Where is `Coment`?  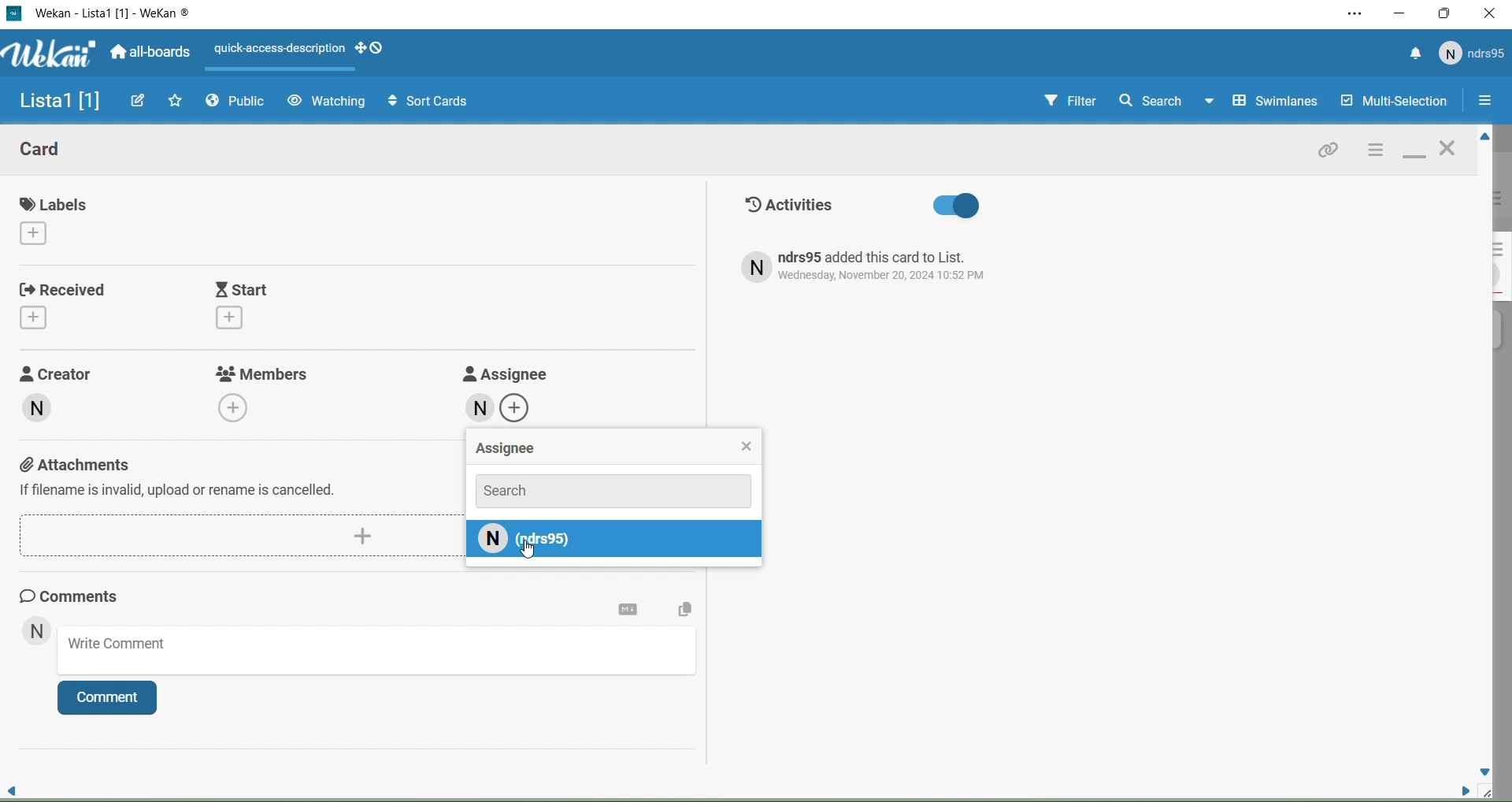
Coment is located at coordinates (114, 701).